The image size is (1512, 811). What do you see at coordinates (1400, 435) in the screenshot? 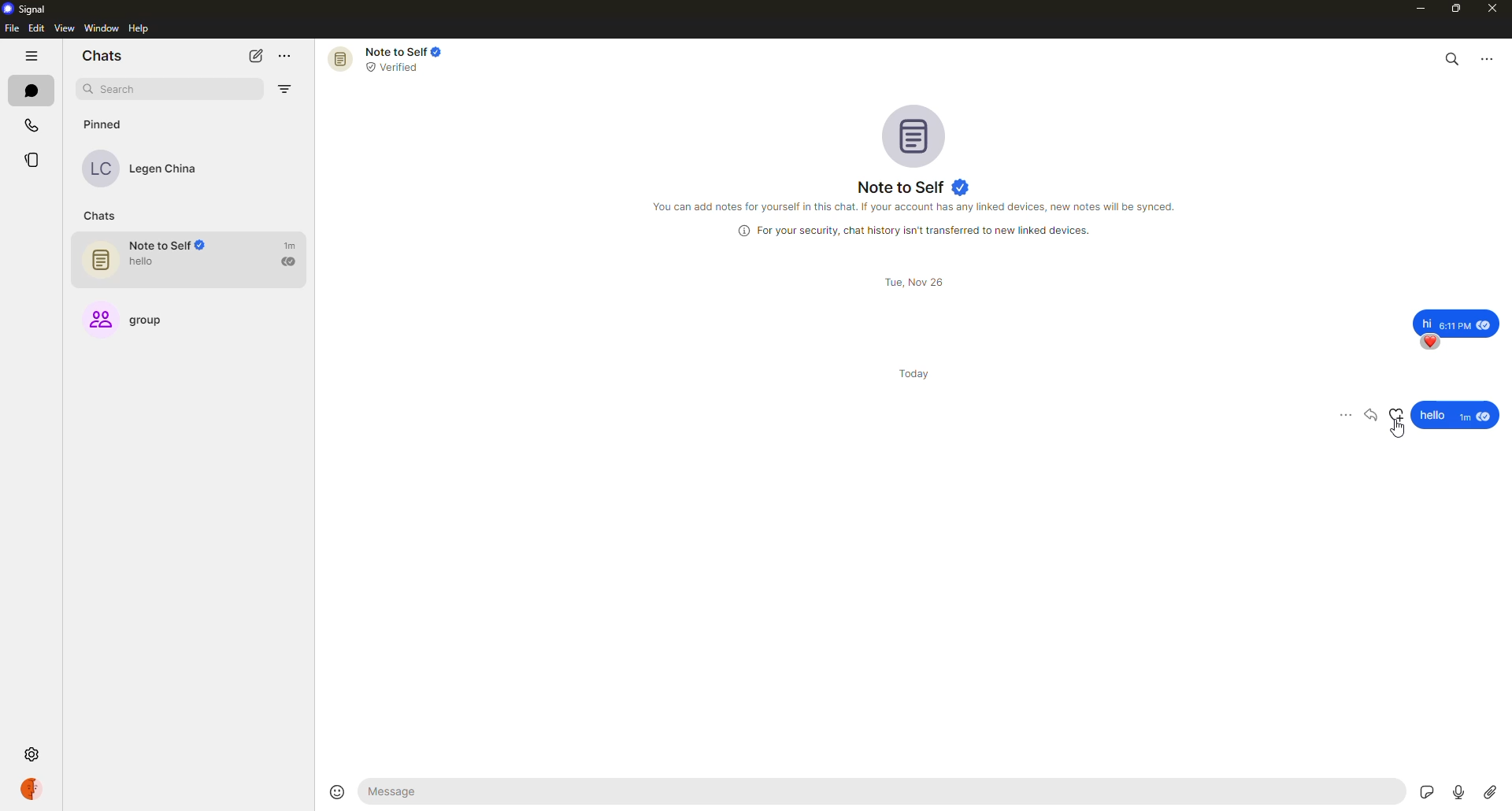
I see `cursor` at bounding box center [1400, 435].